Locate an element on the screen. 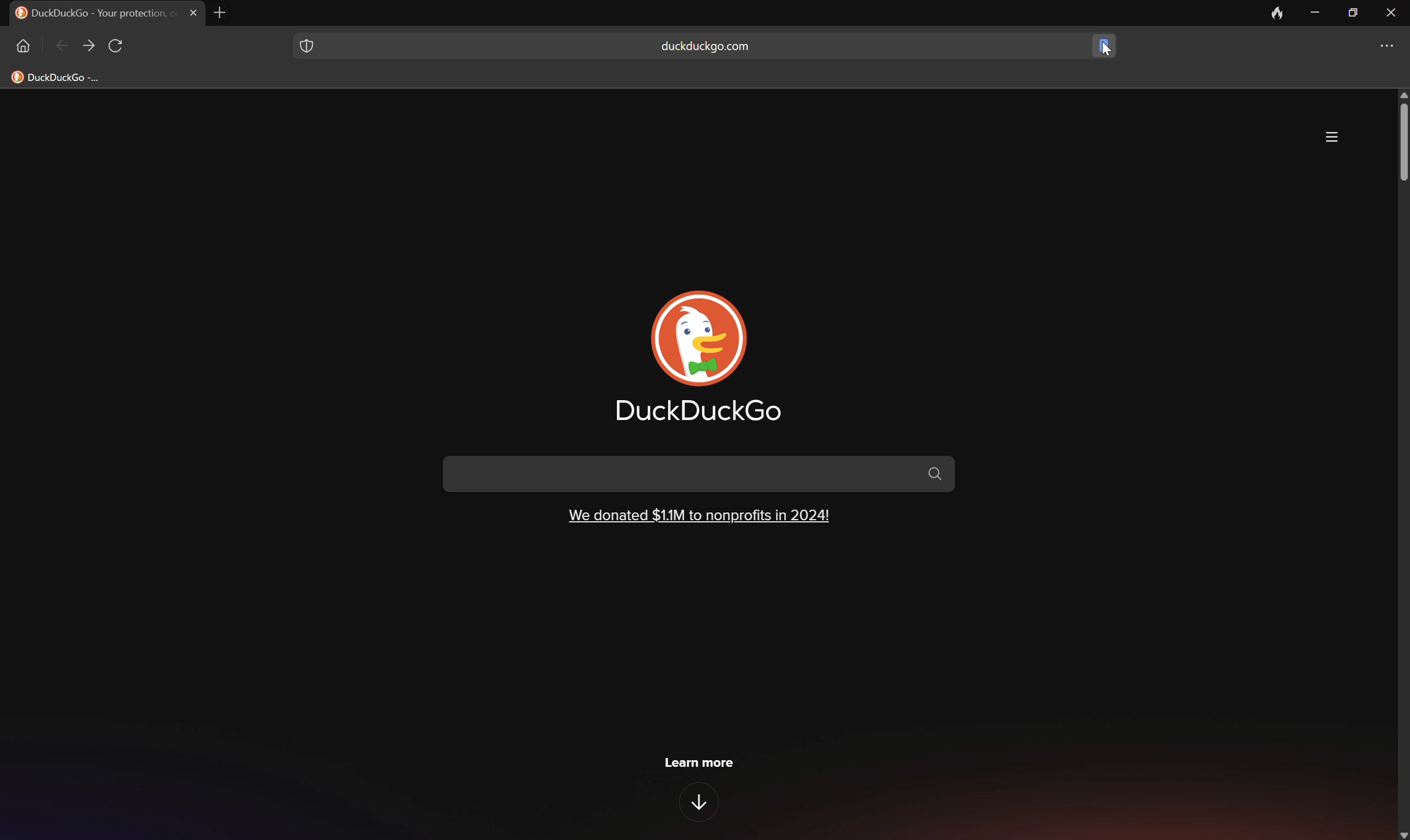 The image size is (1410, 840). Shield is located at coordinates (305, 44).